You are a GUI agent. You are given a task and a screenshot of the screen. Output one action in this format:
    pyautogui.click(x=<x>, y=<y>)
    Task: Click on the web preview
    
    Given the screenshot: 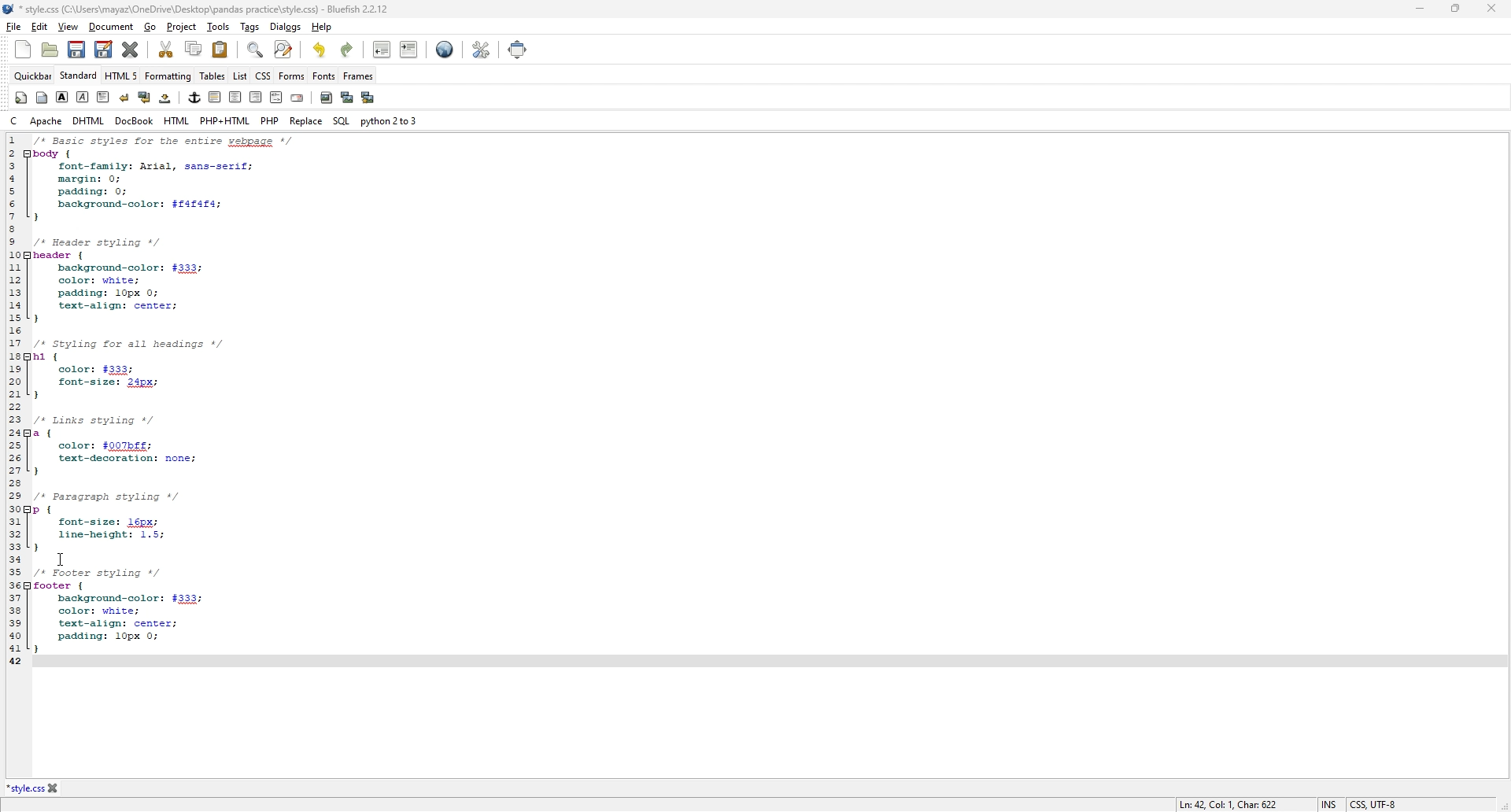 What is the action you would take?
    pyautogui.click(x=445, y=50)
    